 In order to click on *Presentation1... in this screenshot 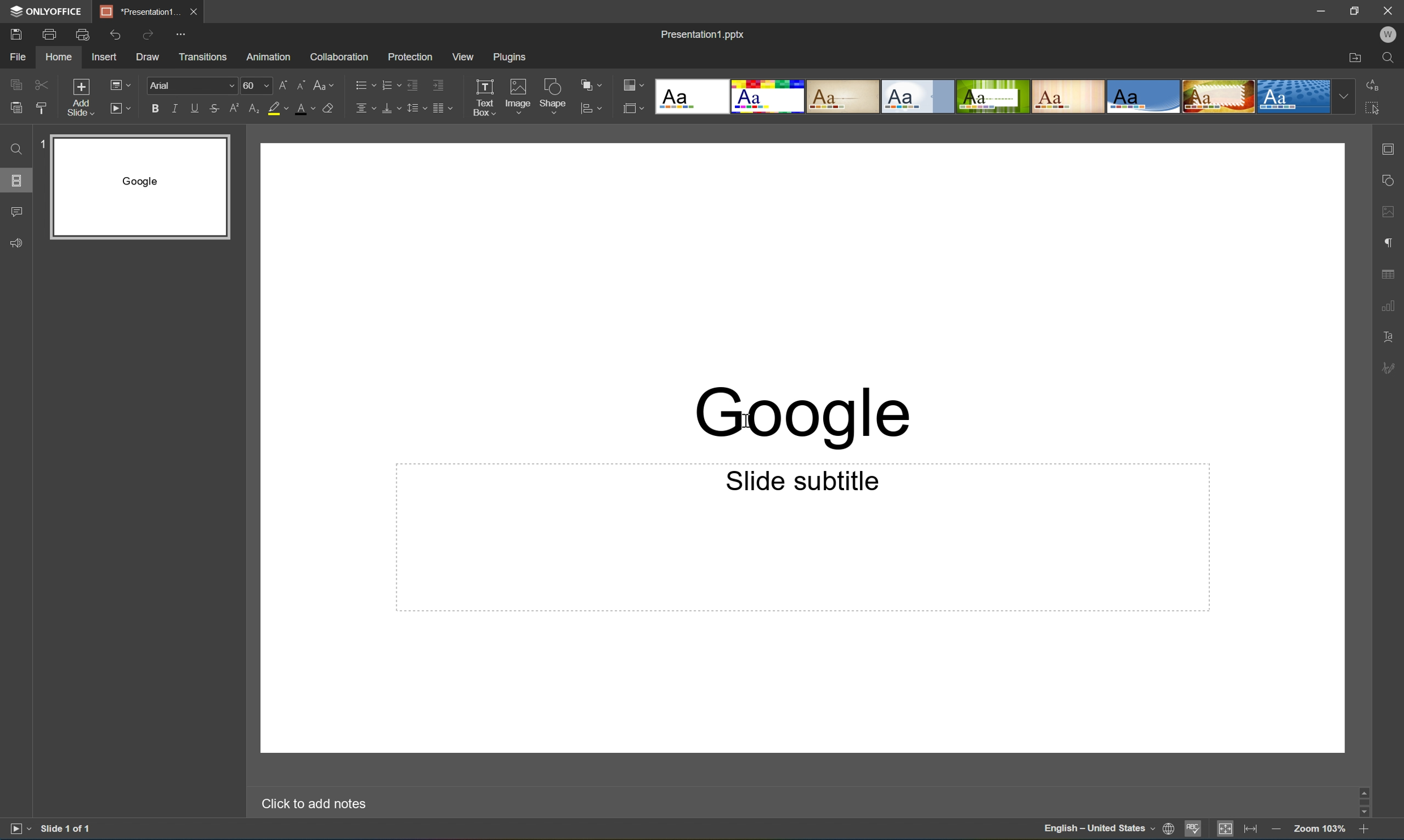, I will do `click(139, 9)`.